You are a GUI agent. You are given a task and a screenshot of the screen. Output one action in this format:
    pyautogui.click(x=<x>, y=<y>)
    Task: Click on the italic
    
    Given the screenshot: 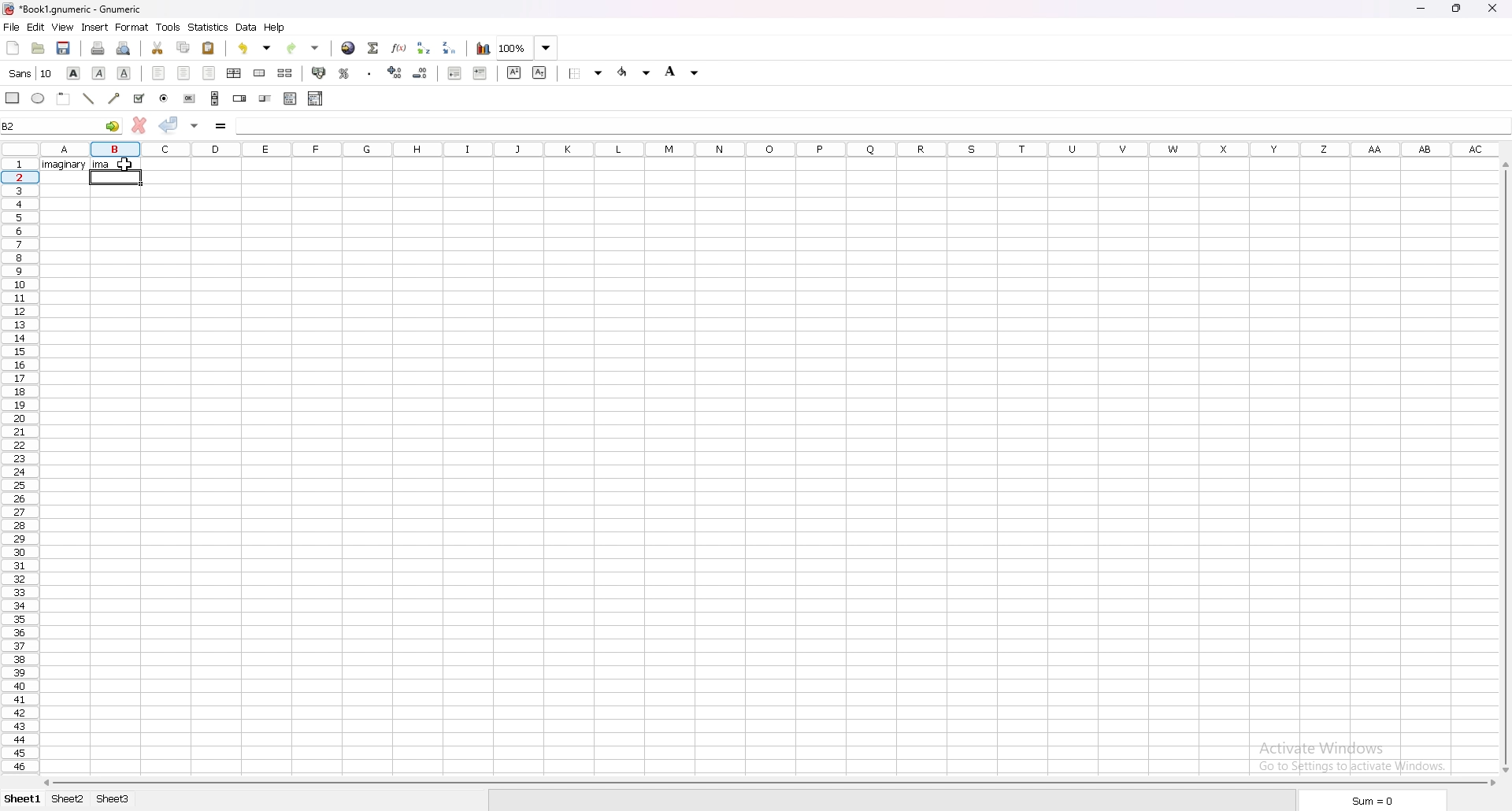 What is the action you would take?
    pyautogui.click(x=99, y=72)
    